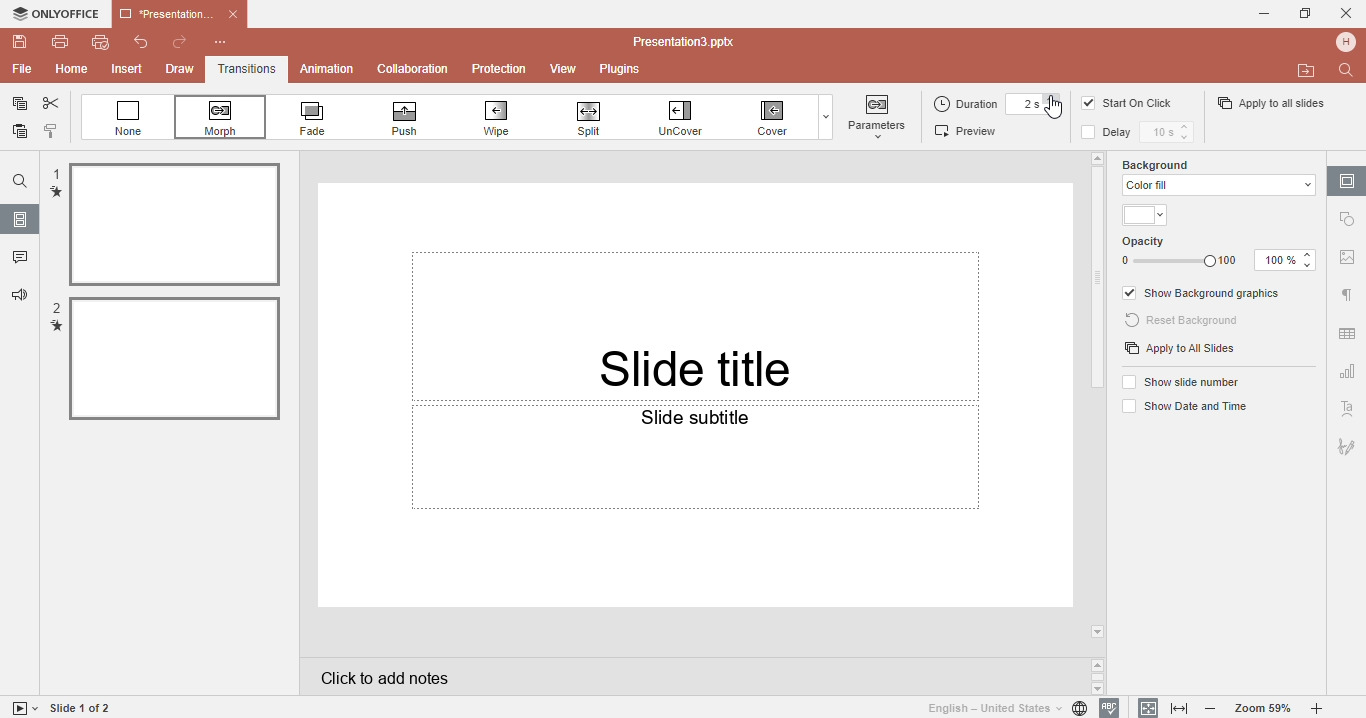  What do you see at coordinates (775, 118) in the screenshot?
I see `Cover` at bounding box center [775, 118].